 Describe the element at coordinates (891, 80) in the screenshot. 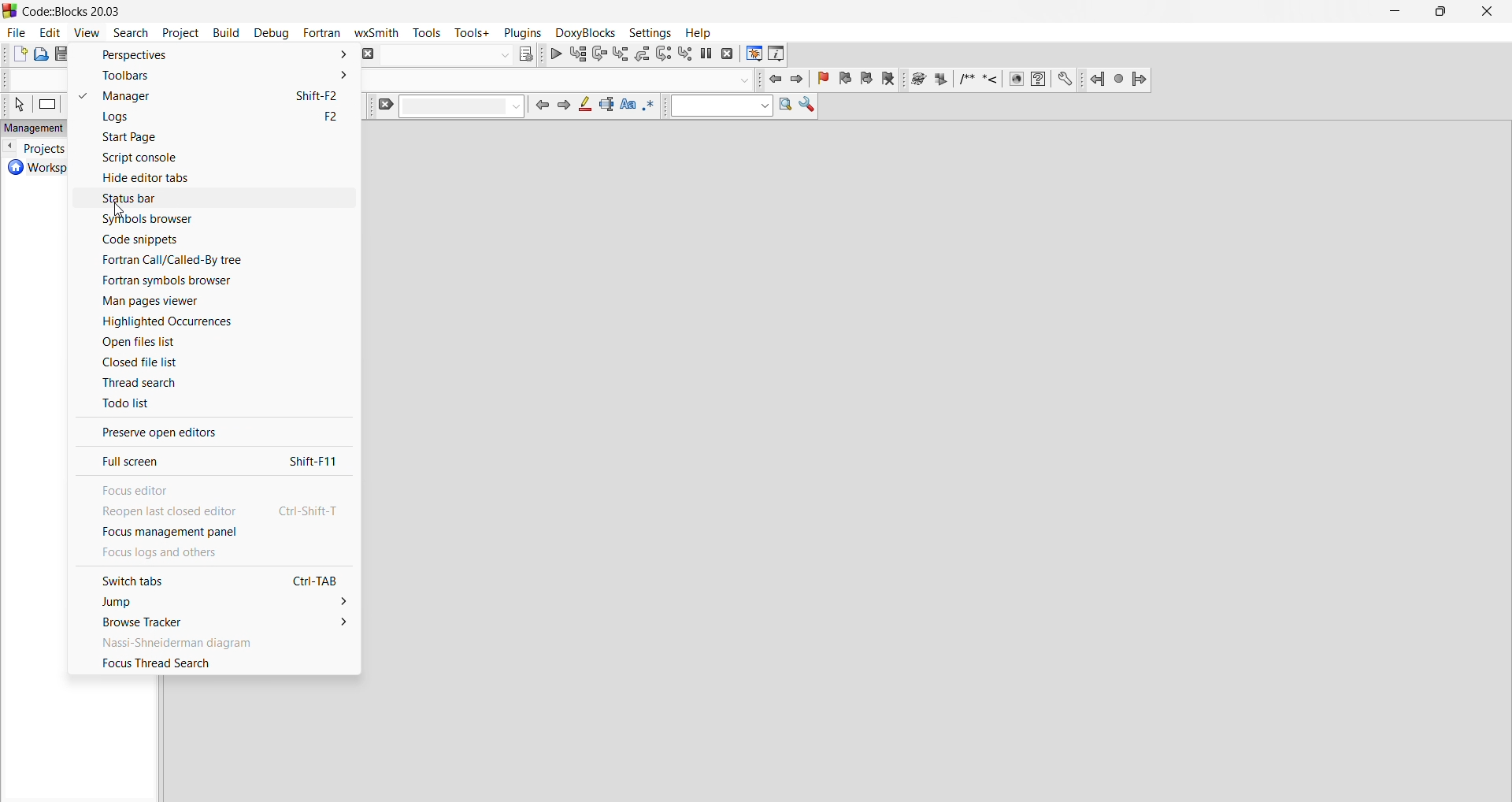

I see `clear bookmark` at that location.